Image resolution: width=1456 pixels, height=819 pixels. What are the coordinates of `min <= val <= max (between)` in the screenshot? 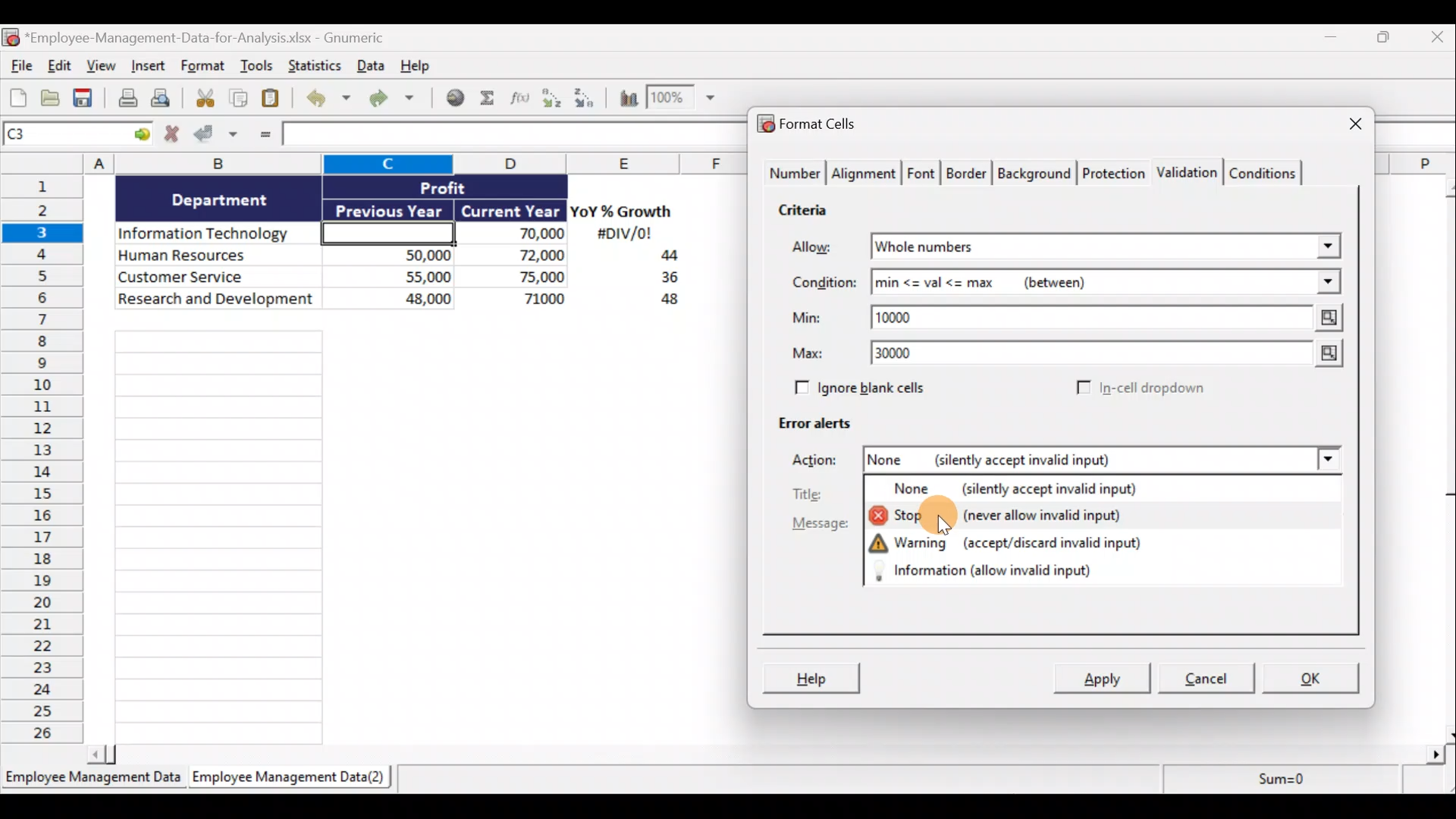 It's located at (1086, 285).